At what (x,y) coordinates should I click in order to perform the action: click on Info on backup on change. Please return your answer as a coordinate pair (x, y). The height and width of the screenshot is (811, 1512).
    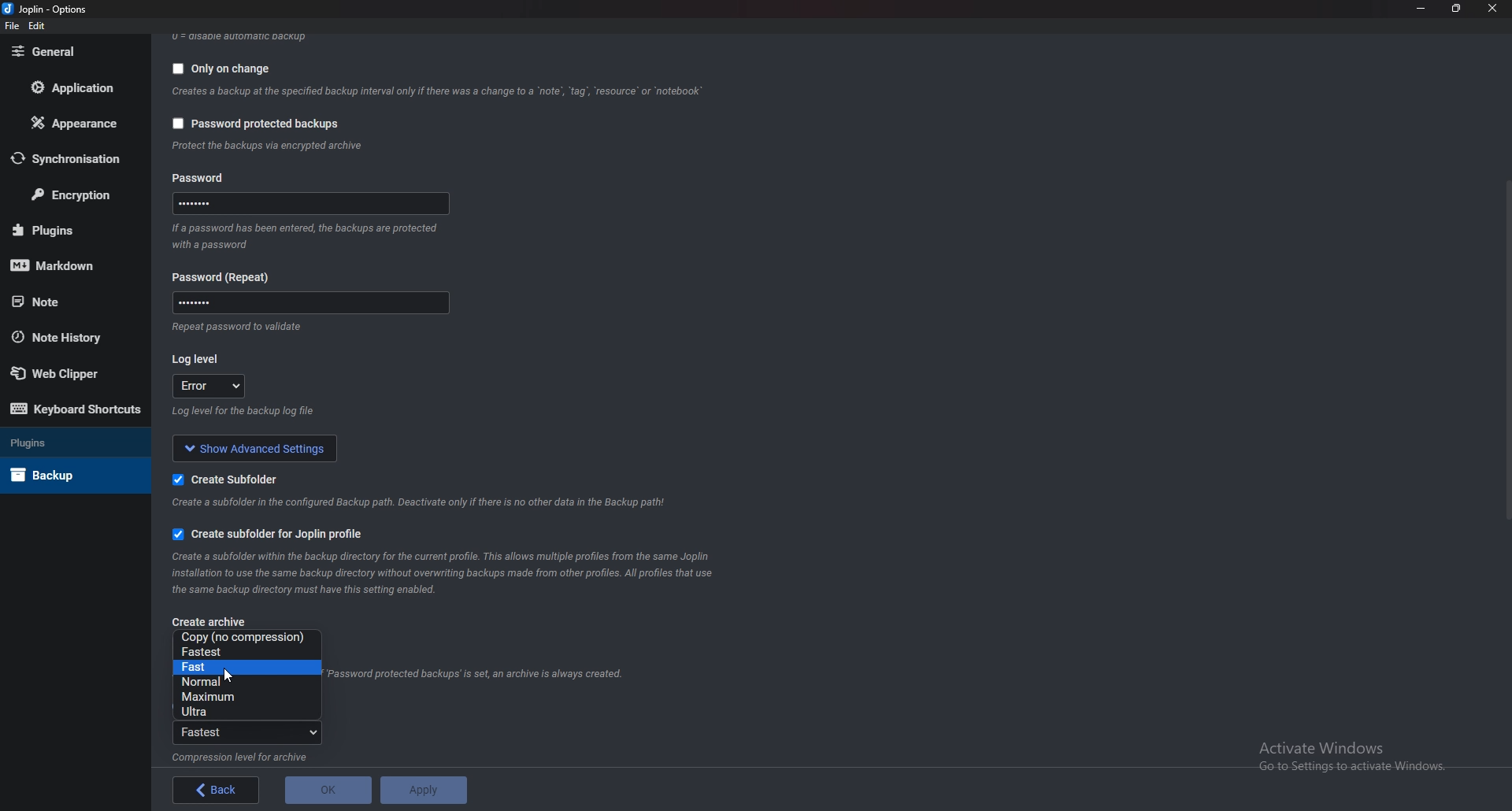
    Looking at the image, I should click on (435, 94).